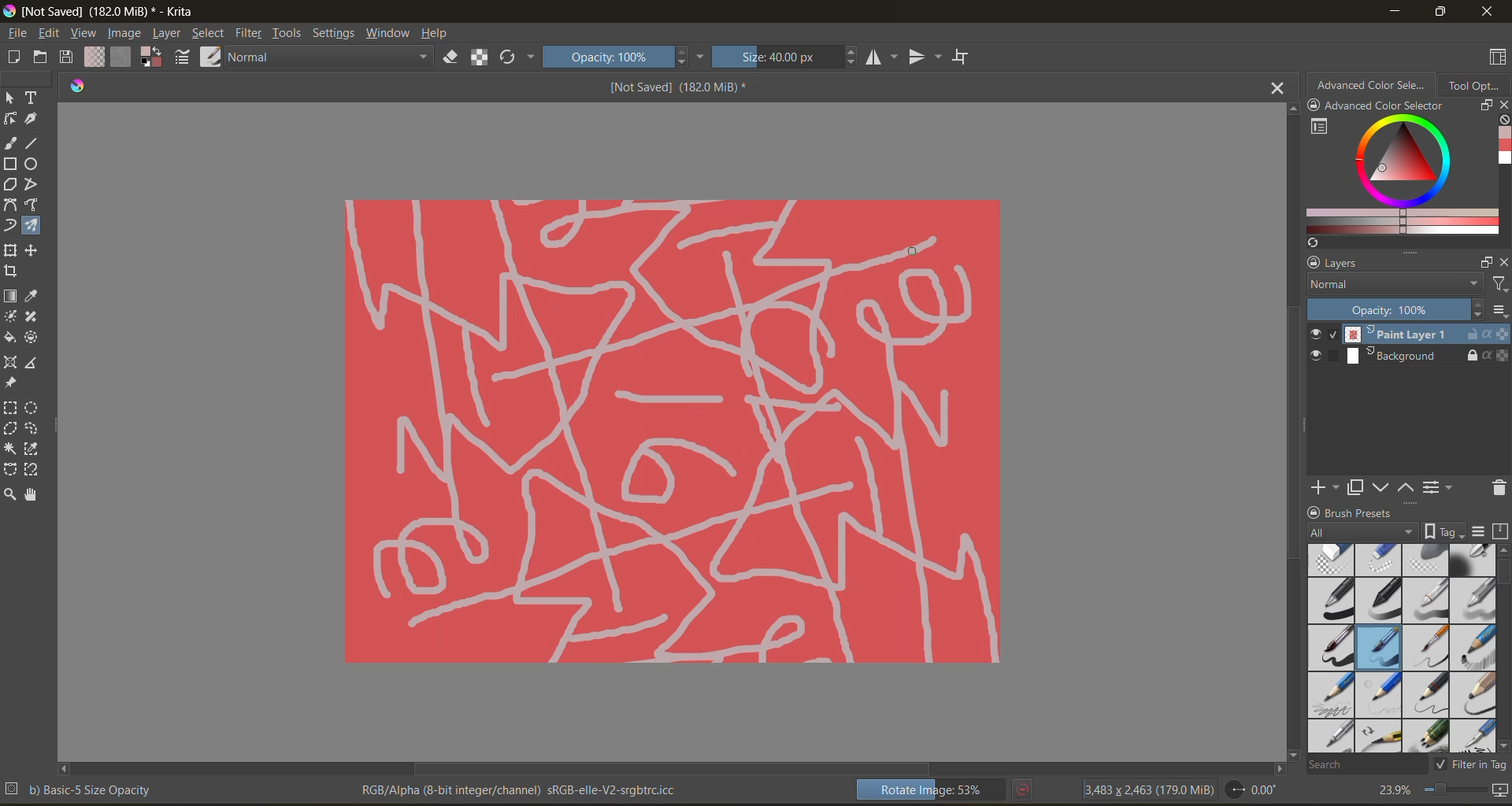  Describe the element at coordinates (1440, 488) in the screenshot. I see `view or change layer` at that location.